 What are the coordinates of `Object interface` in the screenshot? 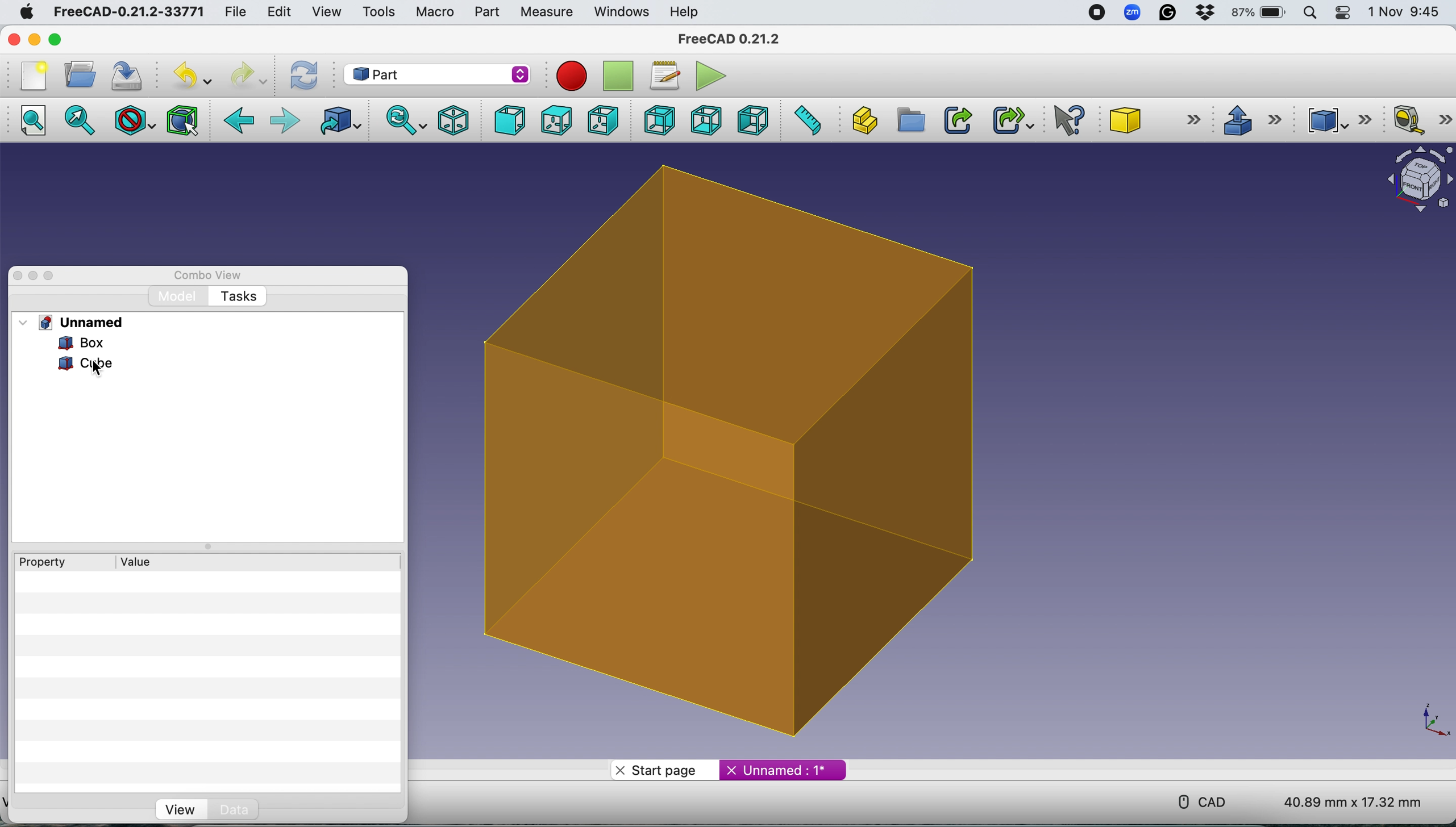 It's located at (1414, 181).